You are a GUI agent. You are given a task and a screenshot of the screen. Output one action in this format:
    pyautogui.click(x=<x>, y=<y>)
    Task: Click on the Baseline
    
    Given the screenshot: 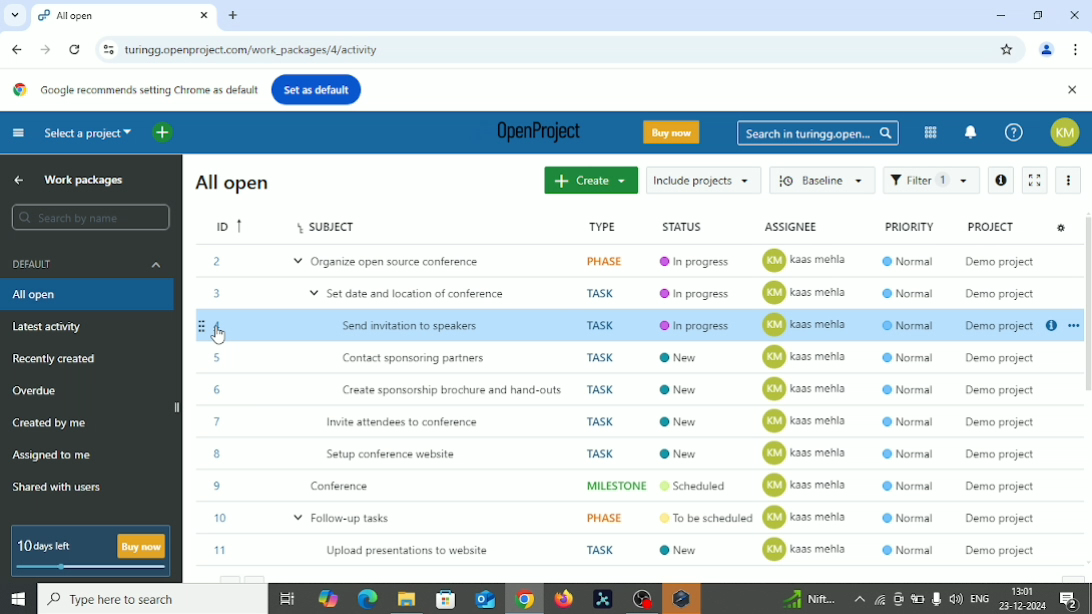 What is the action you would take?
    pyautogui.click(x=823, y=178)
    